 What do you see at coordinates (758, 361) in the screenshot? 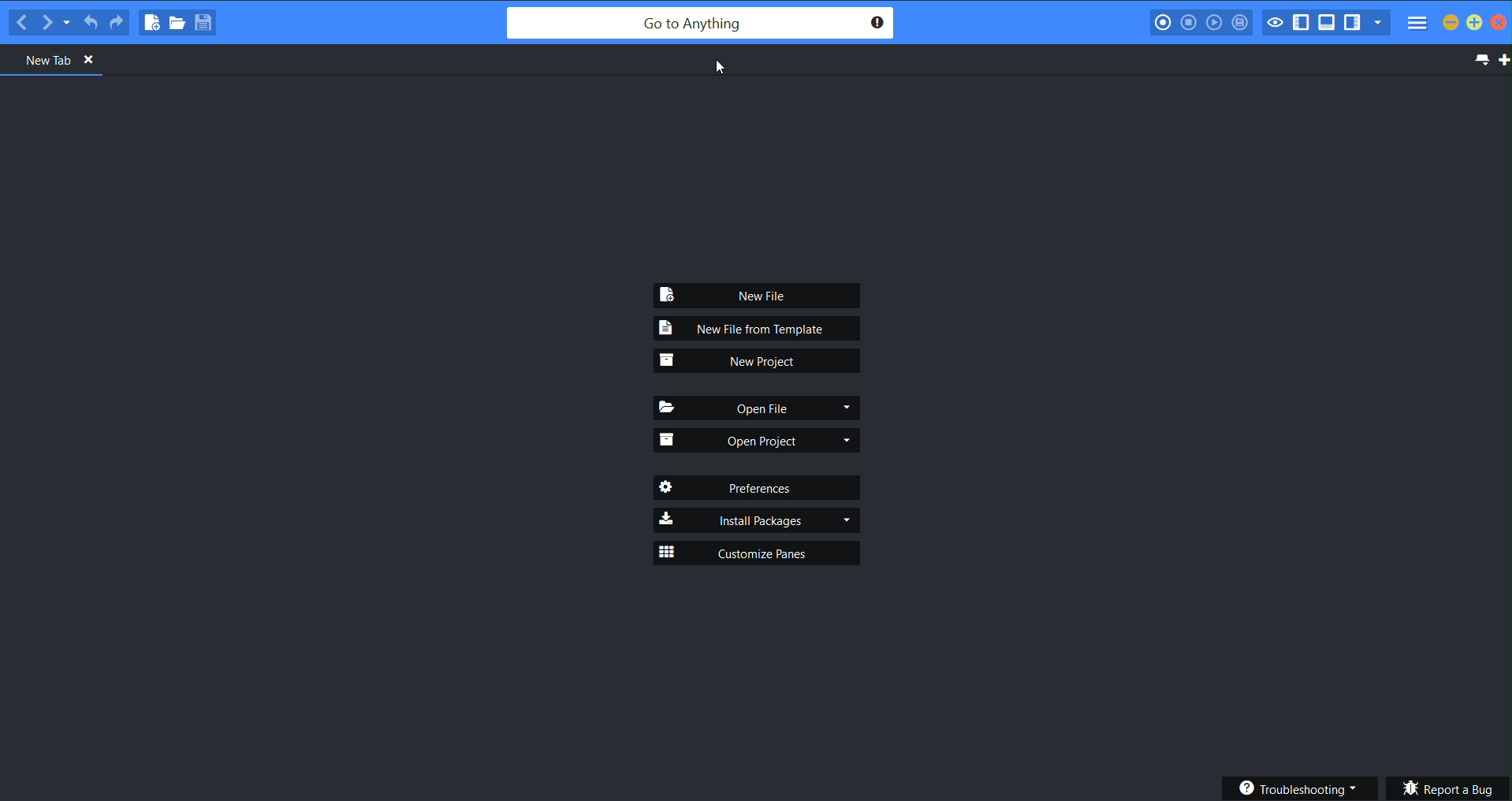
I see `new project` at bounding box center [758, 361].